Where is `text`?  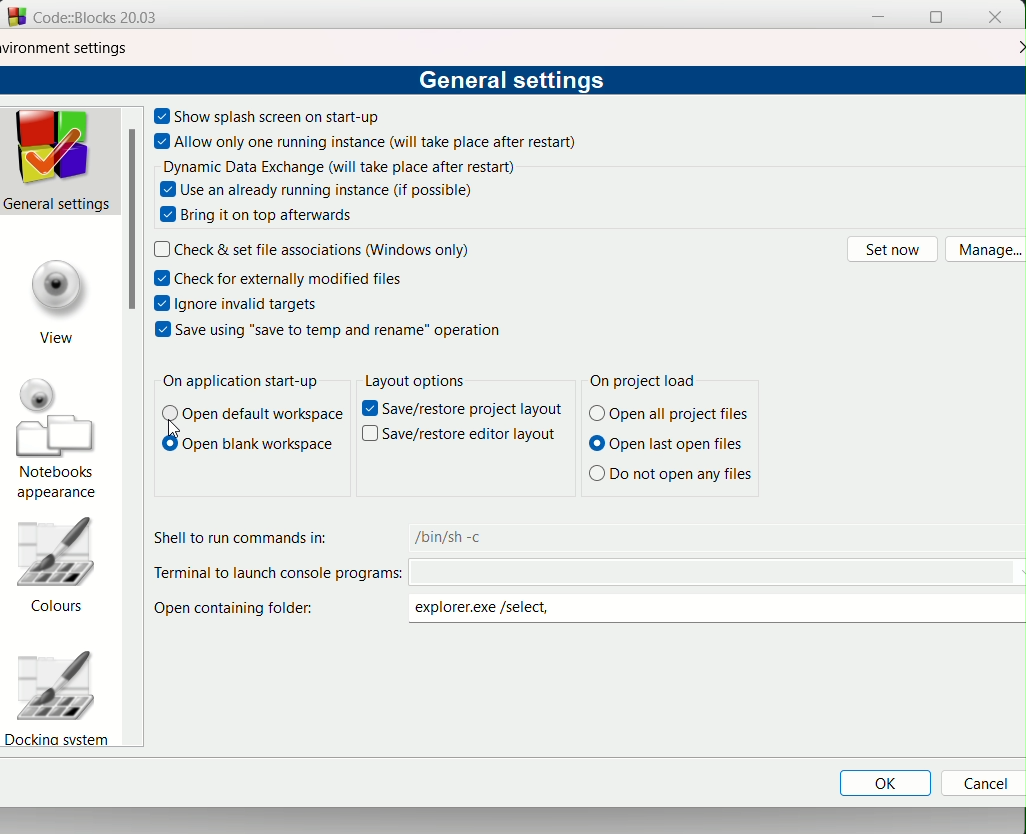
text is located at coordinates (513, 82).